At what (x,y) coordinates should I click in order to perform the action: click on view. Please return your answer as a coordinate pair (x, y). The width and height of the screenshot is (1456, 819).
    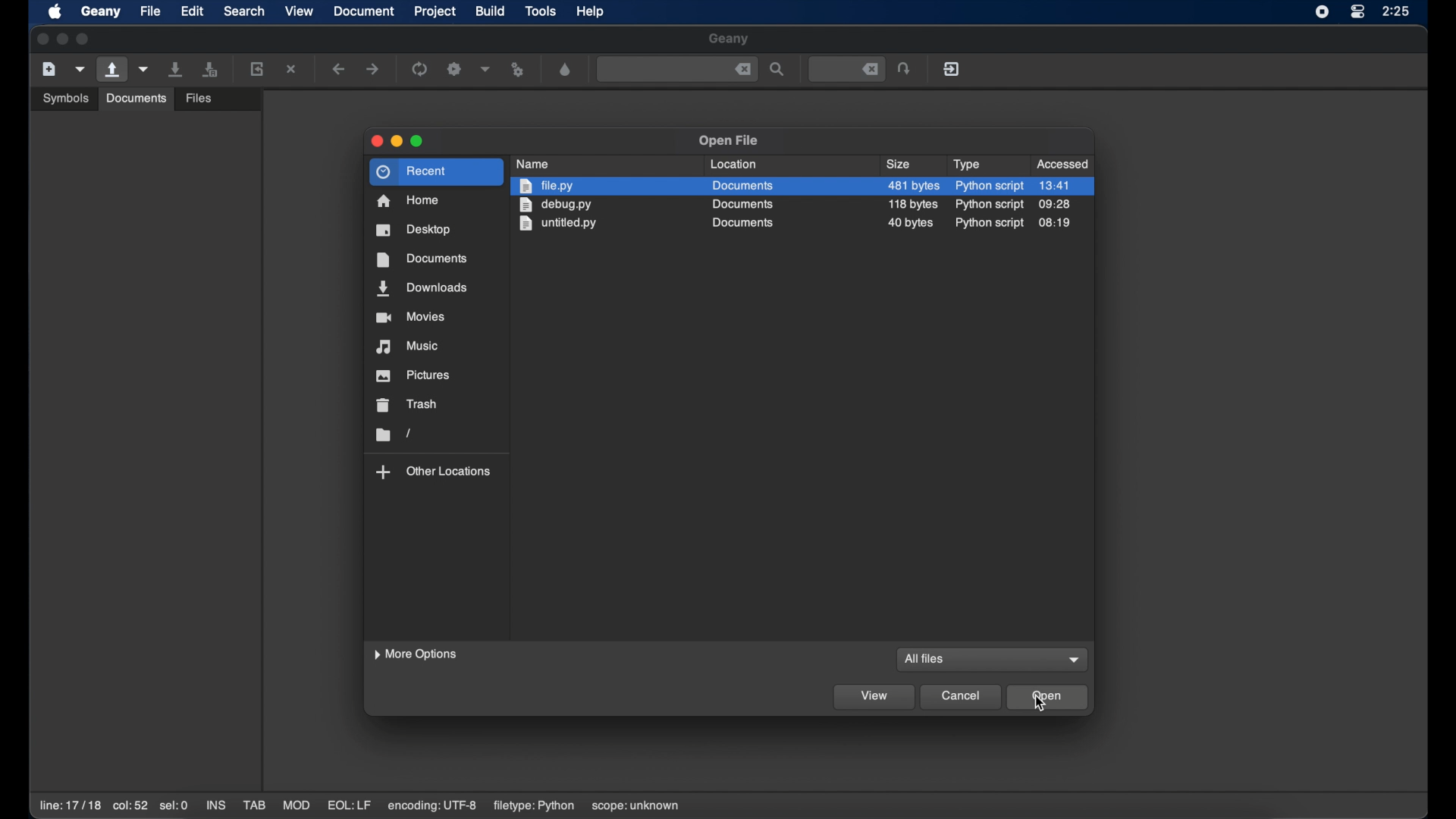
    Looking at the image, I should click on (300, 11).